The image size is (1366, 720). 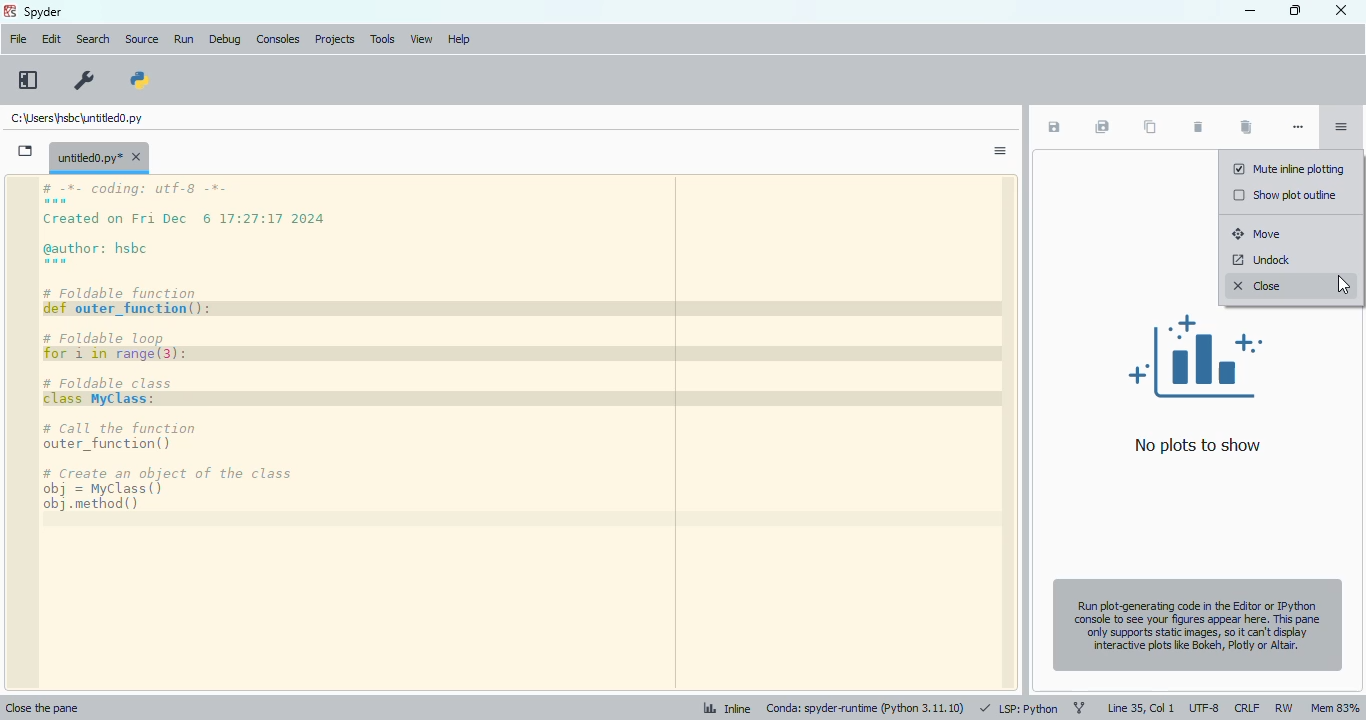 I want to click on scrollbar, so click(x=1004, y=433).